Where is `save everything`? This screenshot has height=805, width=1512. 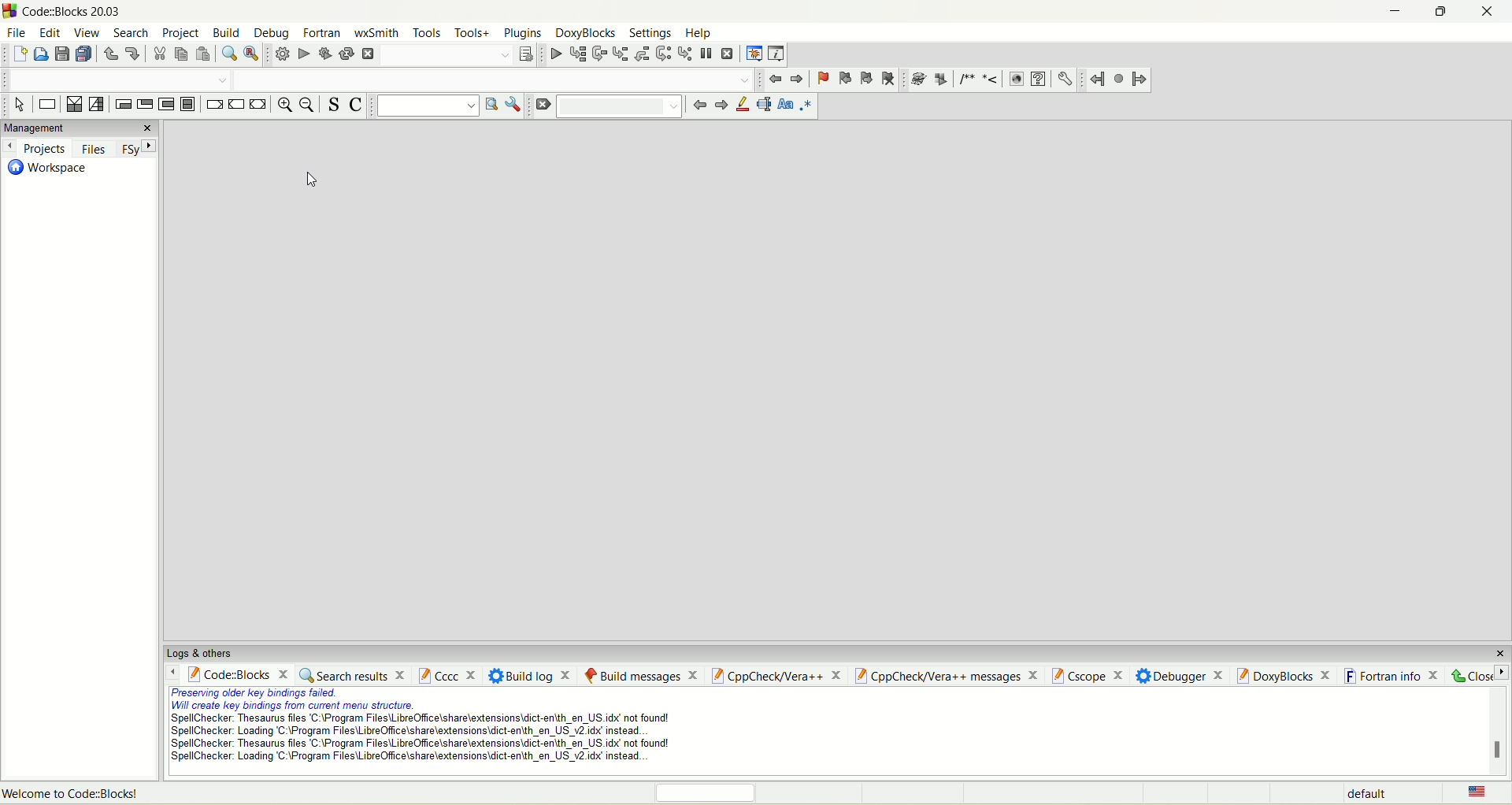 save everything is located at coordinates (85, 55).